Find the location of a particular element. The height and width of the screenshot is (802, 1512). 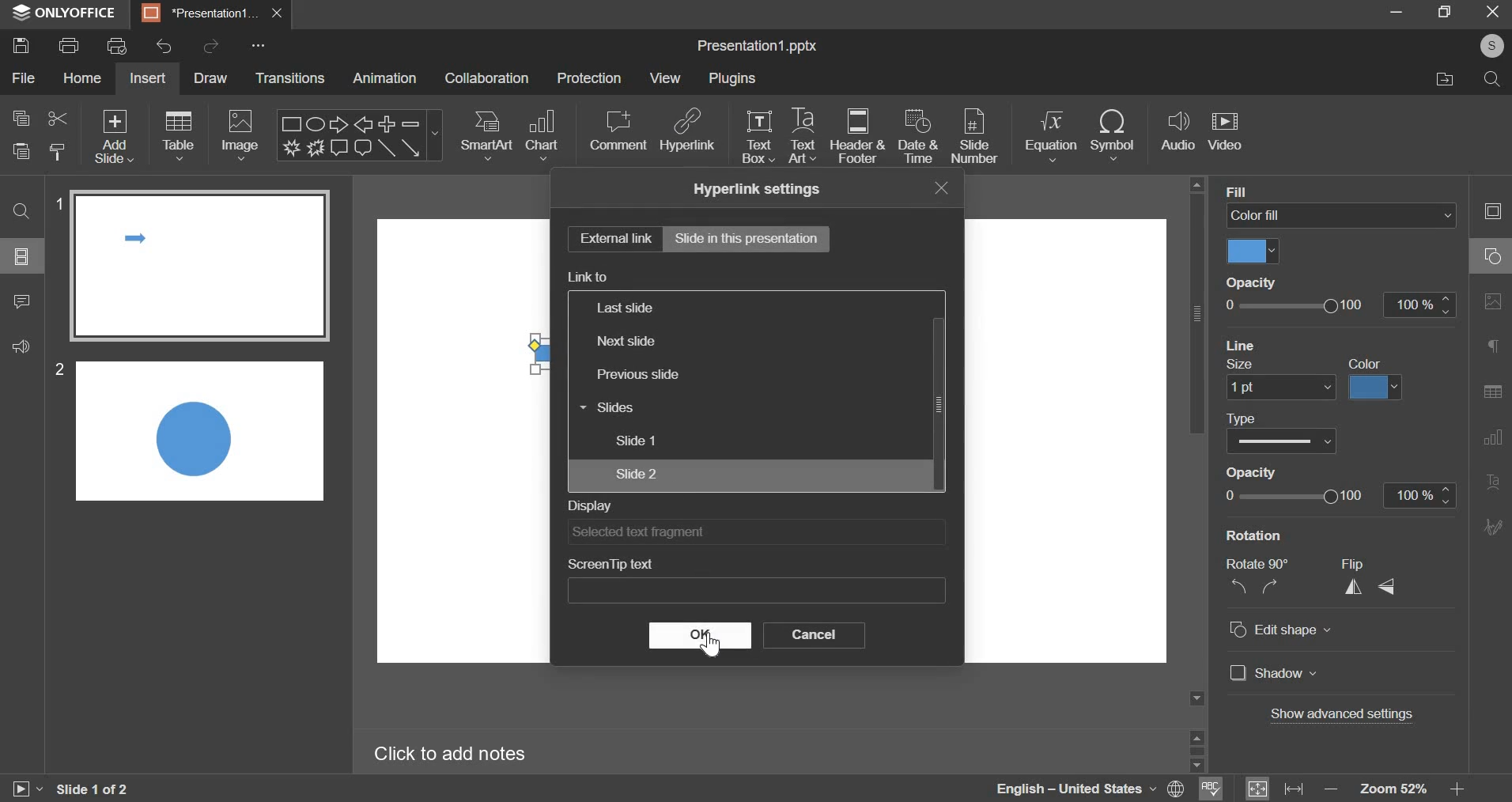

select fill color is located at coordinates (1254, 251).